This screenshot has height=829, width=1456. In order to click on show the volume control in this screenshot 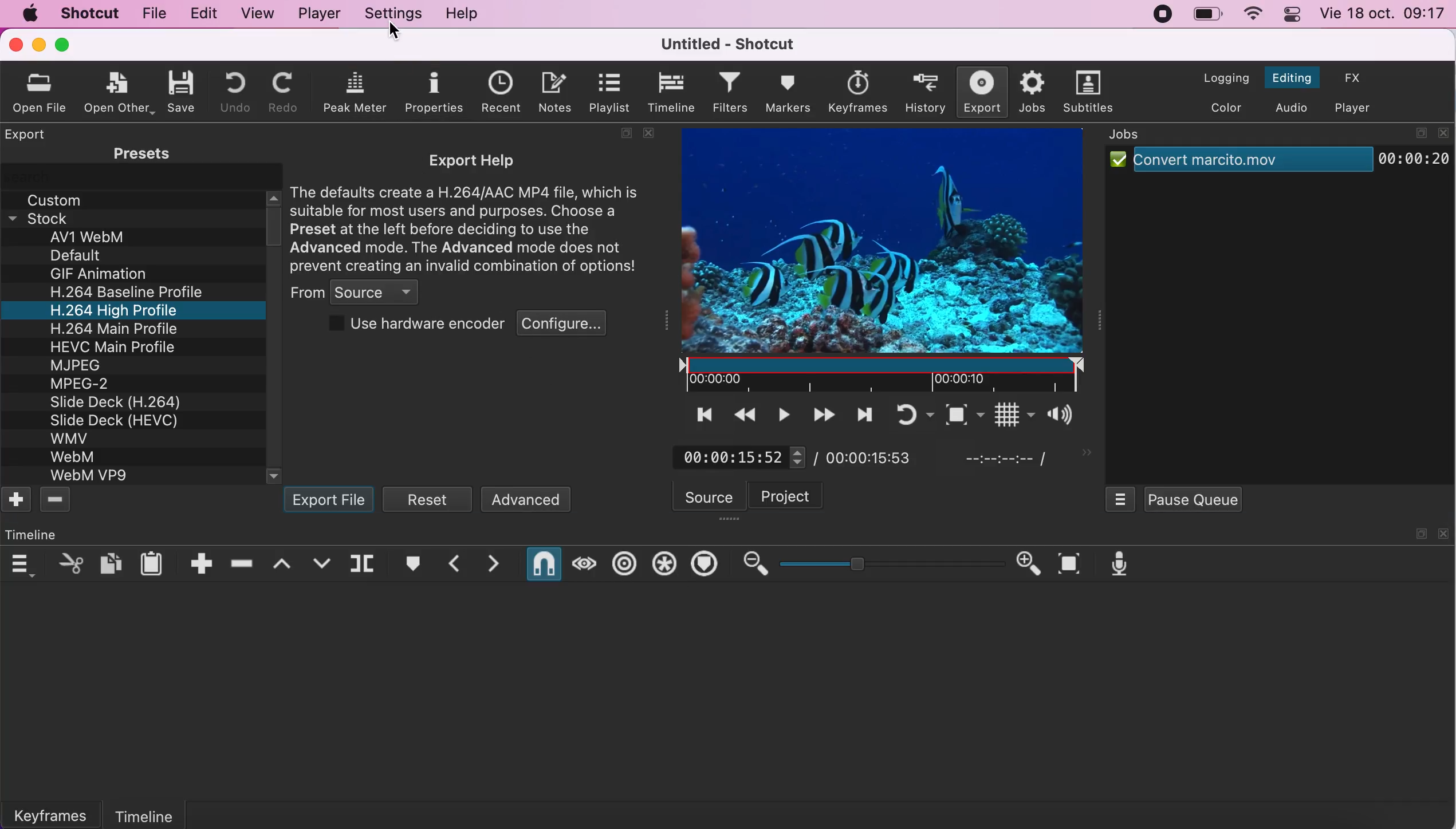, I will do `click(1056, 417)`.